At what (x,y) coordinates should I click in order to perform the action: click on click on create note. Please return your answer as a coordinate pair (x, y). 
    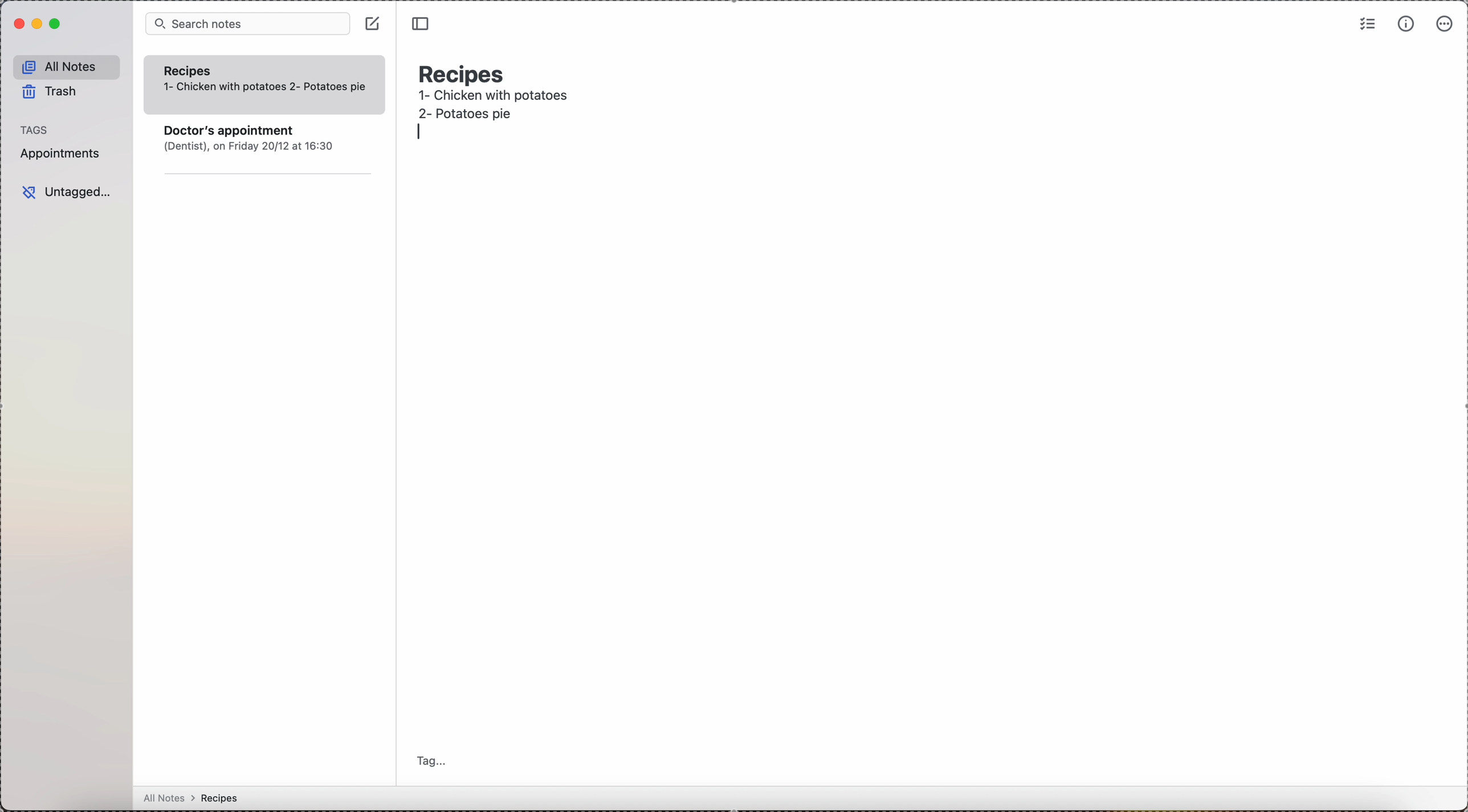
    Looking at the image, I should click on (372, 24).